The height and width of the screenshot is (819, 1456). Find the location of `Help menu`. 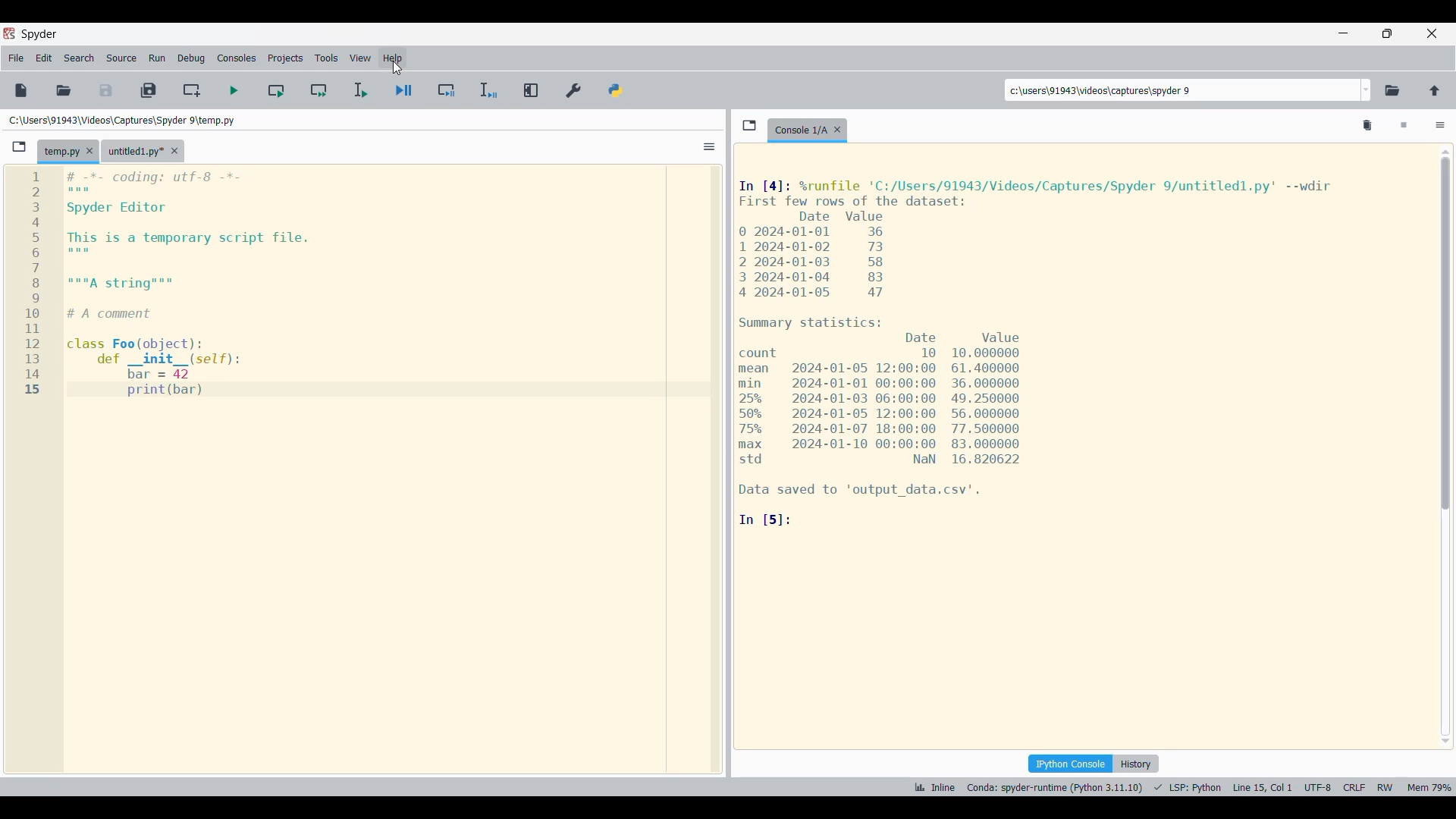

Help menu is located at coordinates (393, 58).